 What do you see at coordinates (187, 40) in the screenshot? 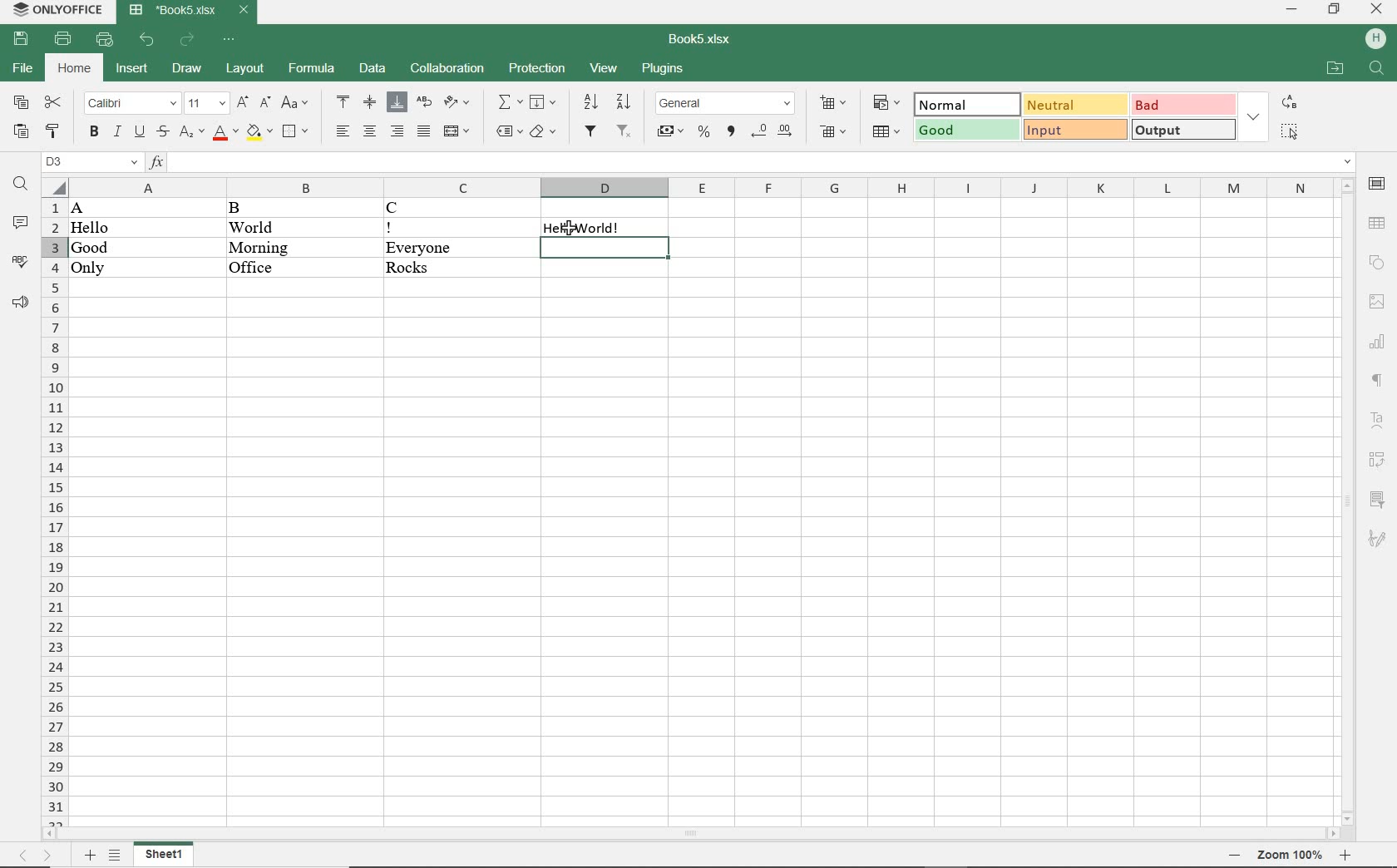
I see `REDO` at bounding box center [187, 40].